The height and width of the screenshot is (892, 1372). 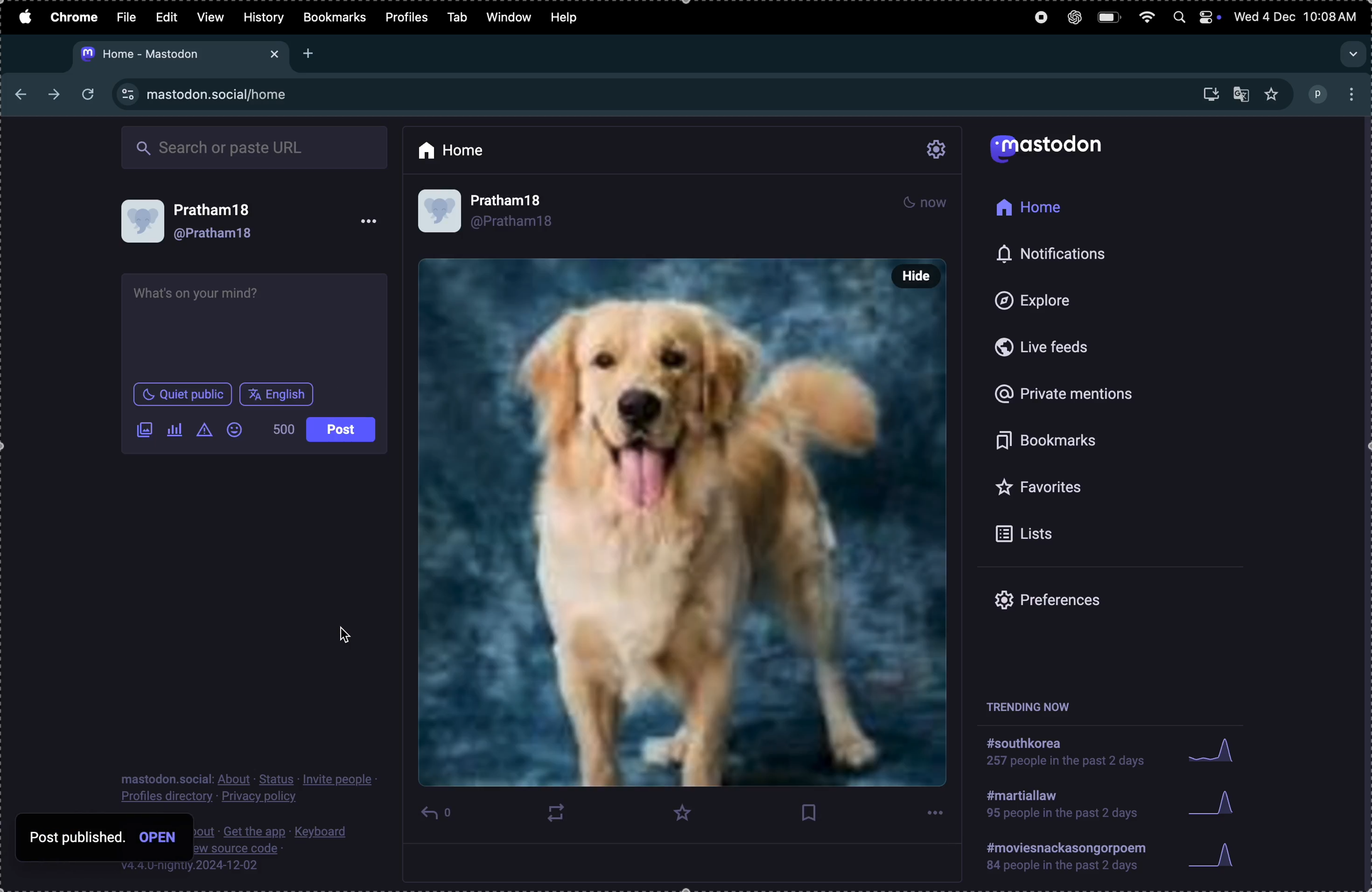 What do you see at coordinates (1066, 486) in the screenshot?
I see `Favourites` at bounding box center [1066, 486].